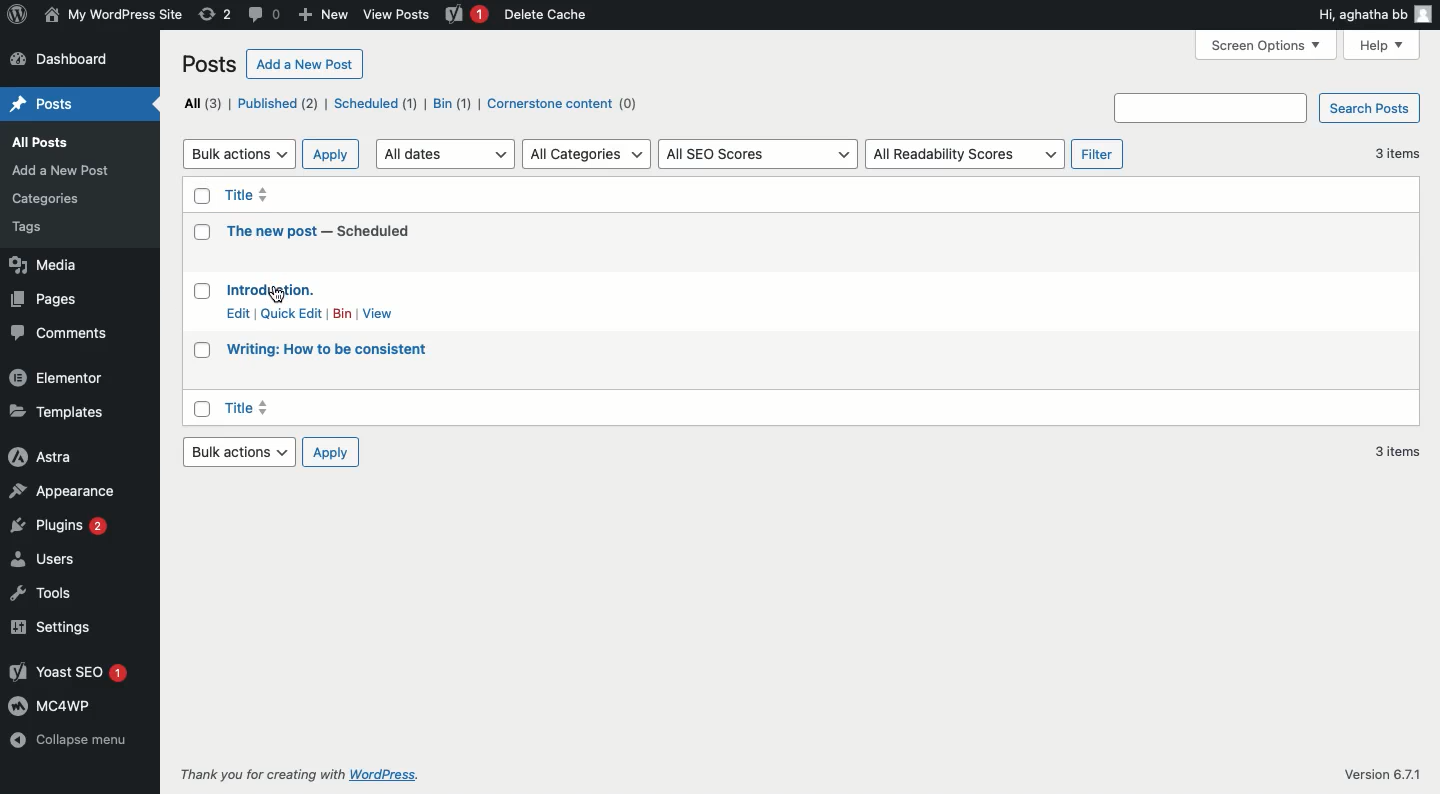 Image resolution: width=1440 pixels, height=794 pixels. Describe the element at coordinates (113, 15) in the screenshot. I see `Name` at that location.